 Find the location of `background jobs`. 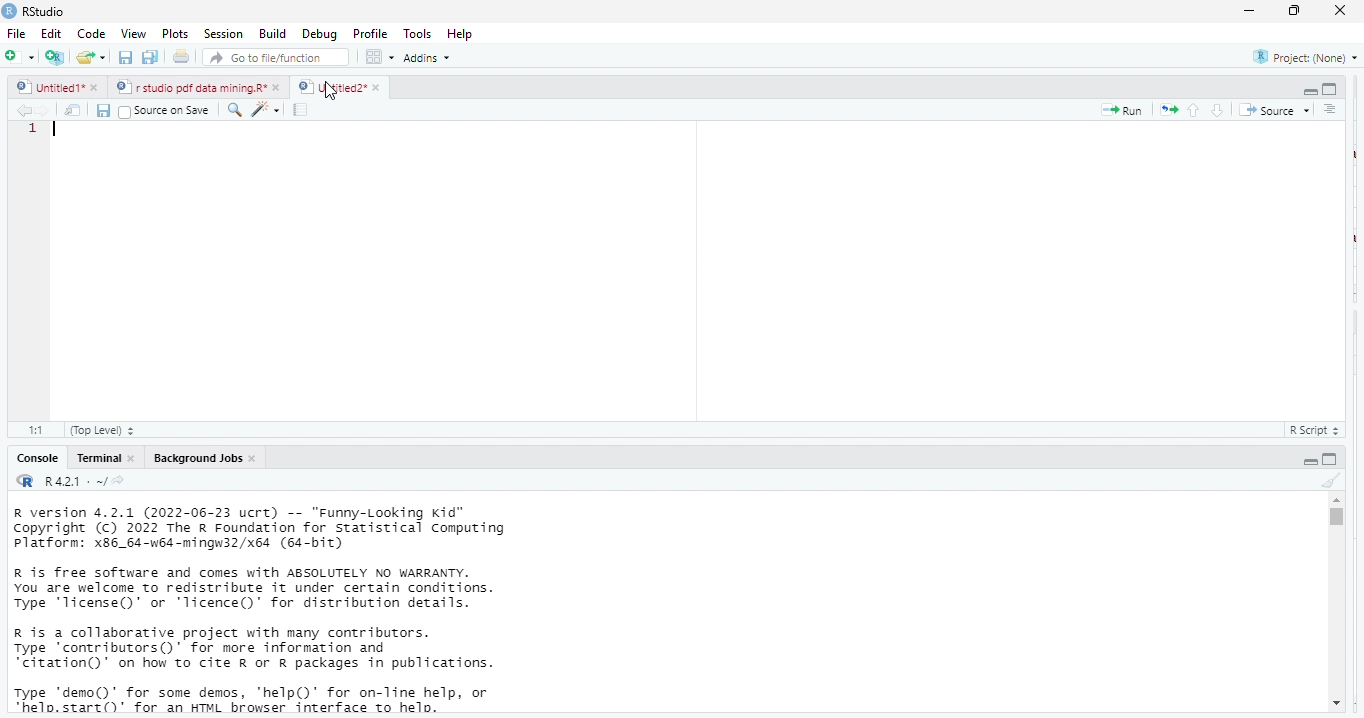

background jobs is located at coordinates (193, 458).